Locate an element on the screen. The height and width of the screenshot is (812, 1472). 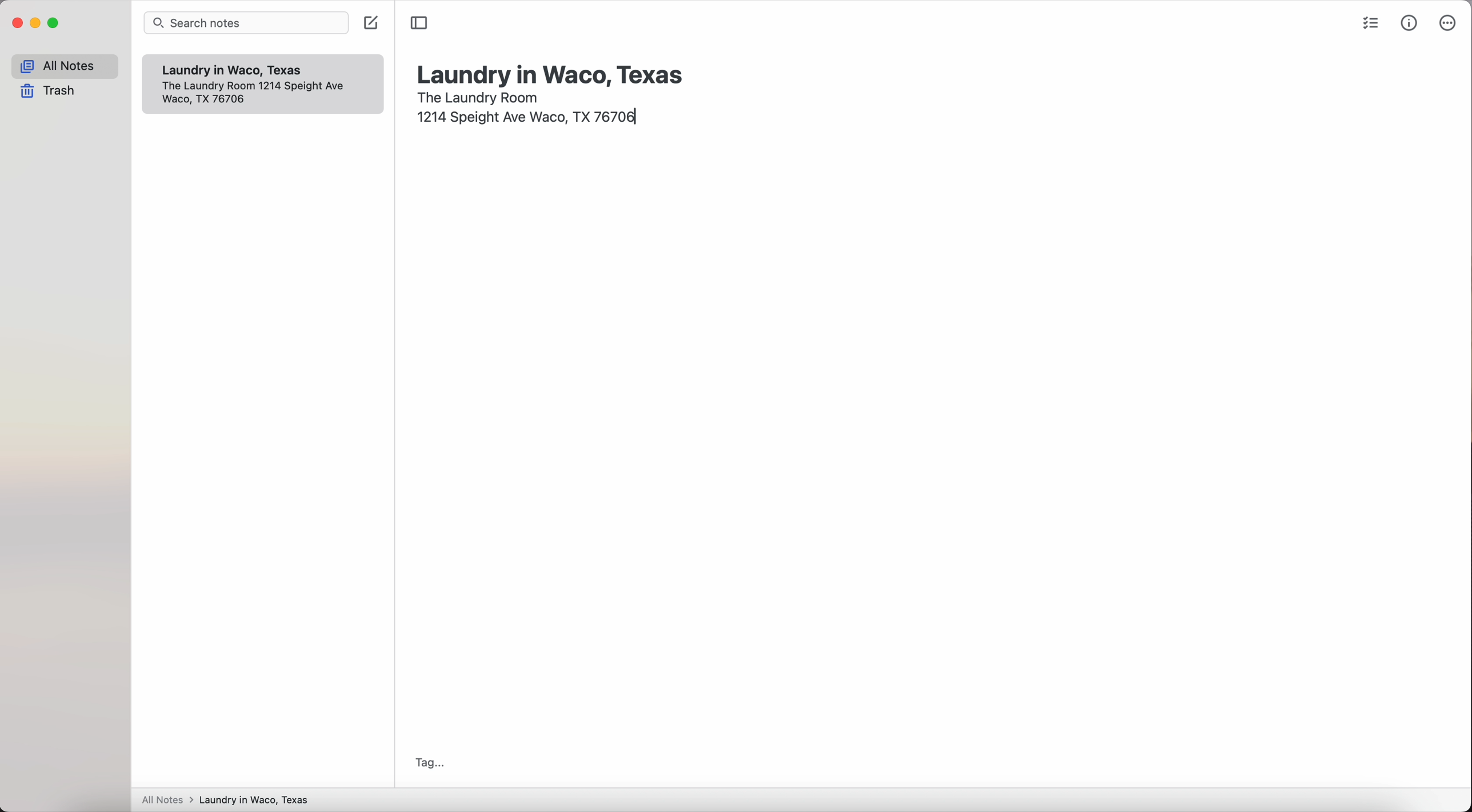
laundry in Waco, Texas is located at coordinates (552, 70).